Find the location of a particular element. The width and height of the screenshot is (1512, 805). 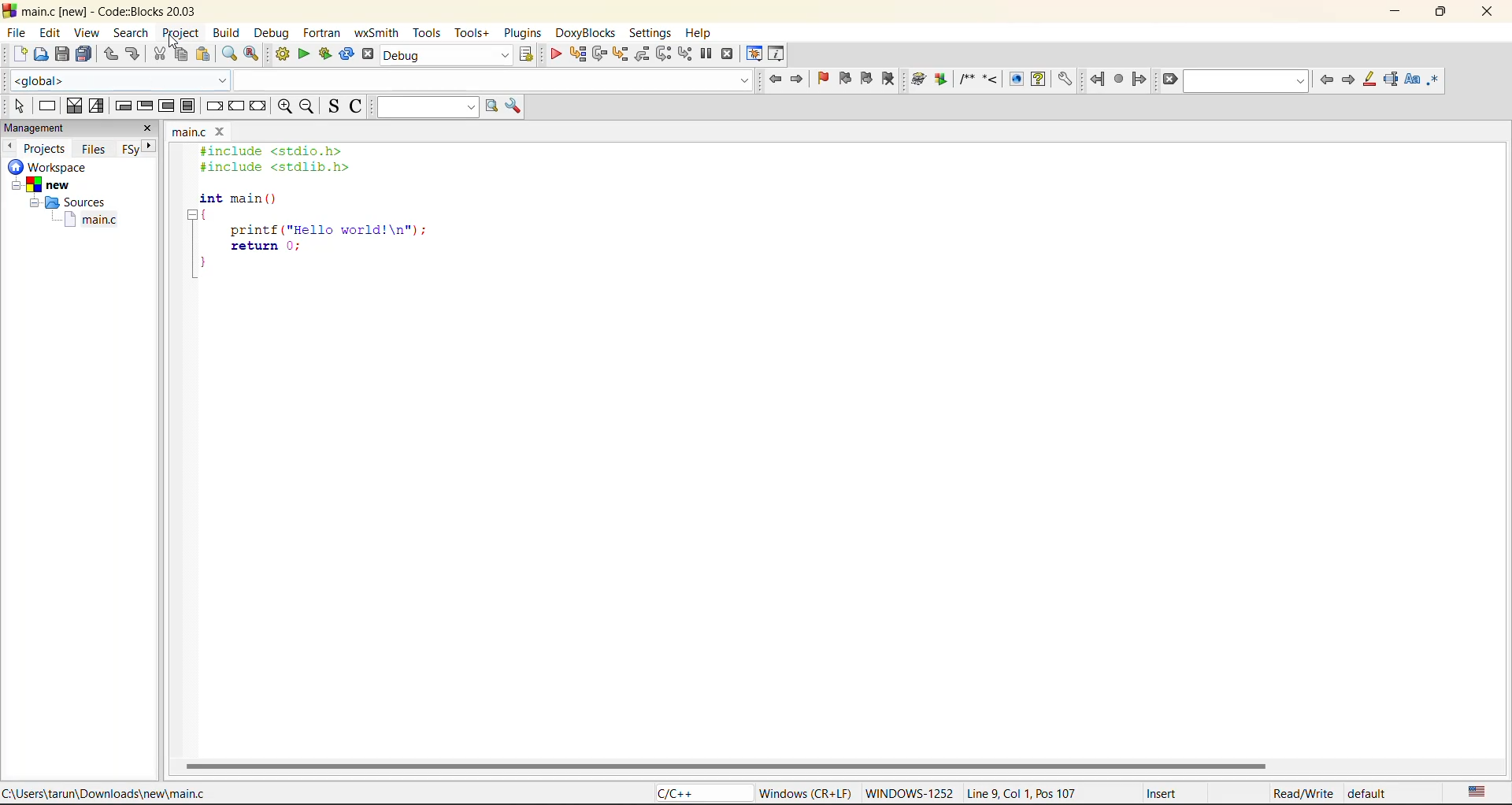

next is located at coordinates (1347, 82).